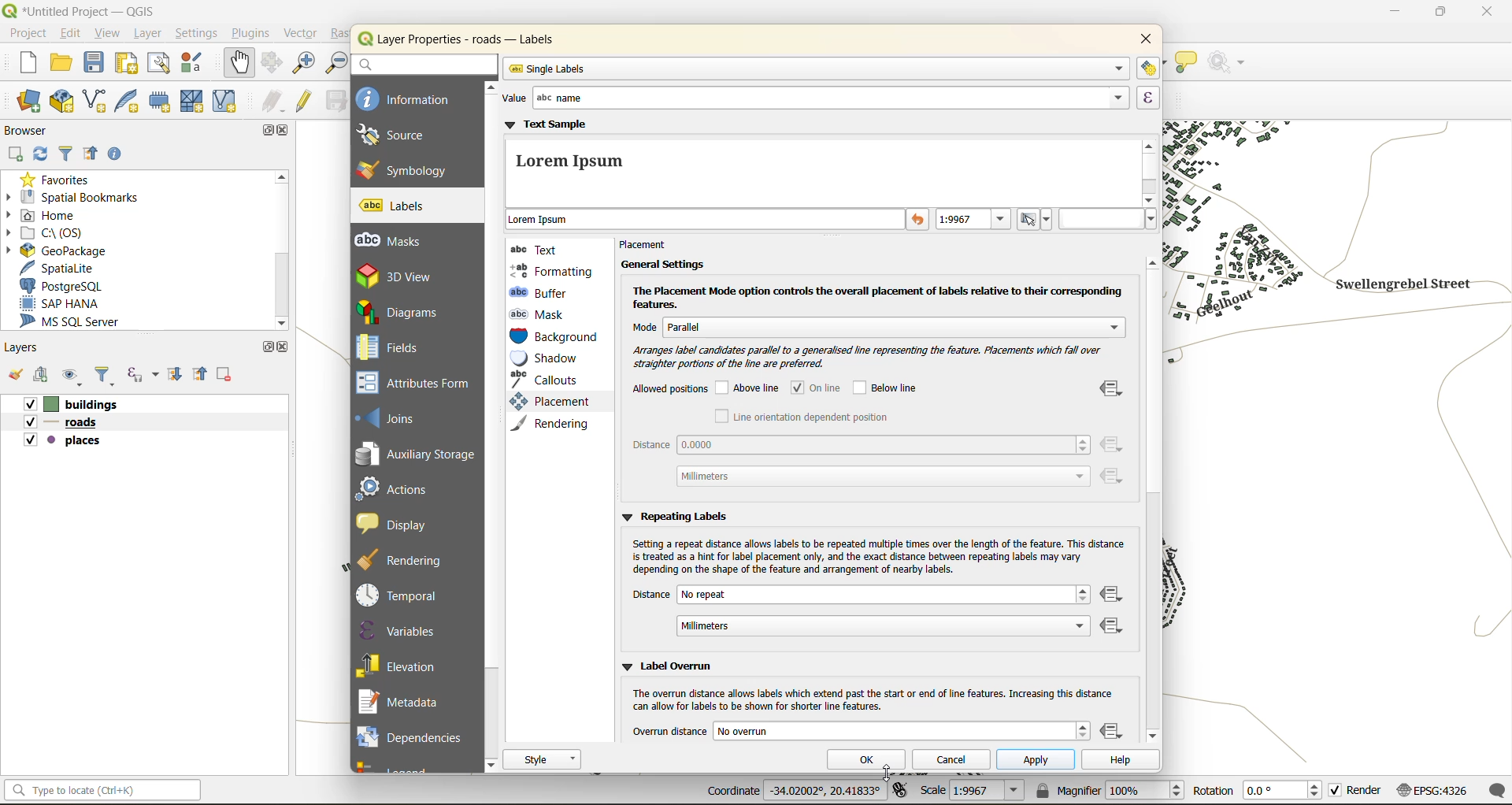 This screenshot has width=1512, height=805. What do you see at coordinates (1354, 789) in the screenshot?
I see `render` at bounding box center [1354, 789].